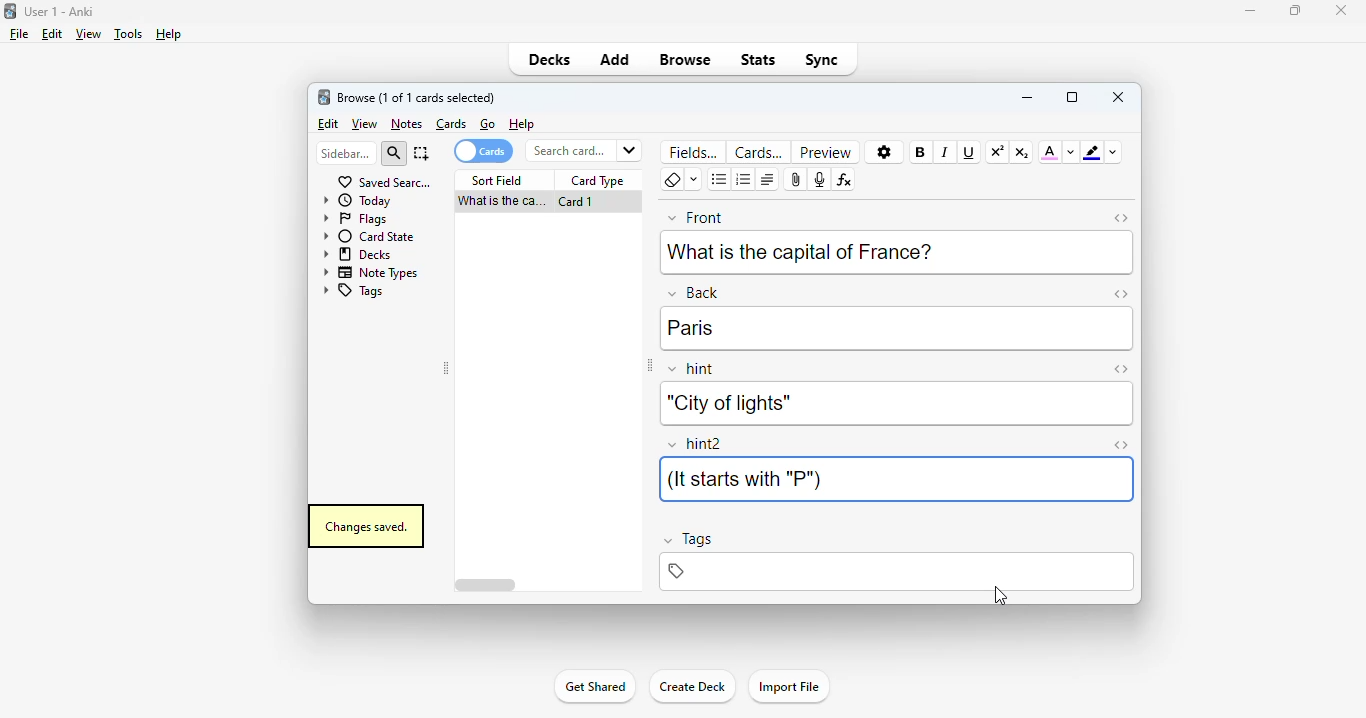 The image size is (1366, 718). Describe the element at coordinates (694, 180) in the screenshot. I see `select formatting to remove` at that location.